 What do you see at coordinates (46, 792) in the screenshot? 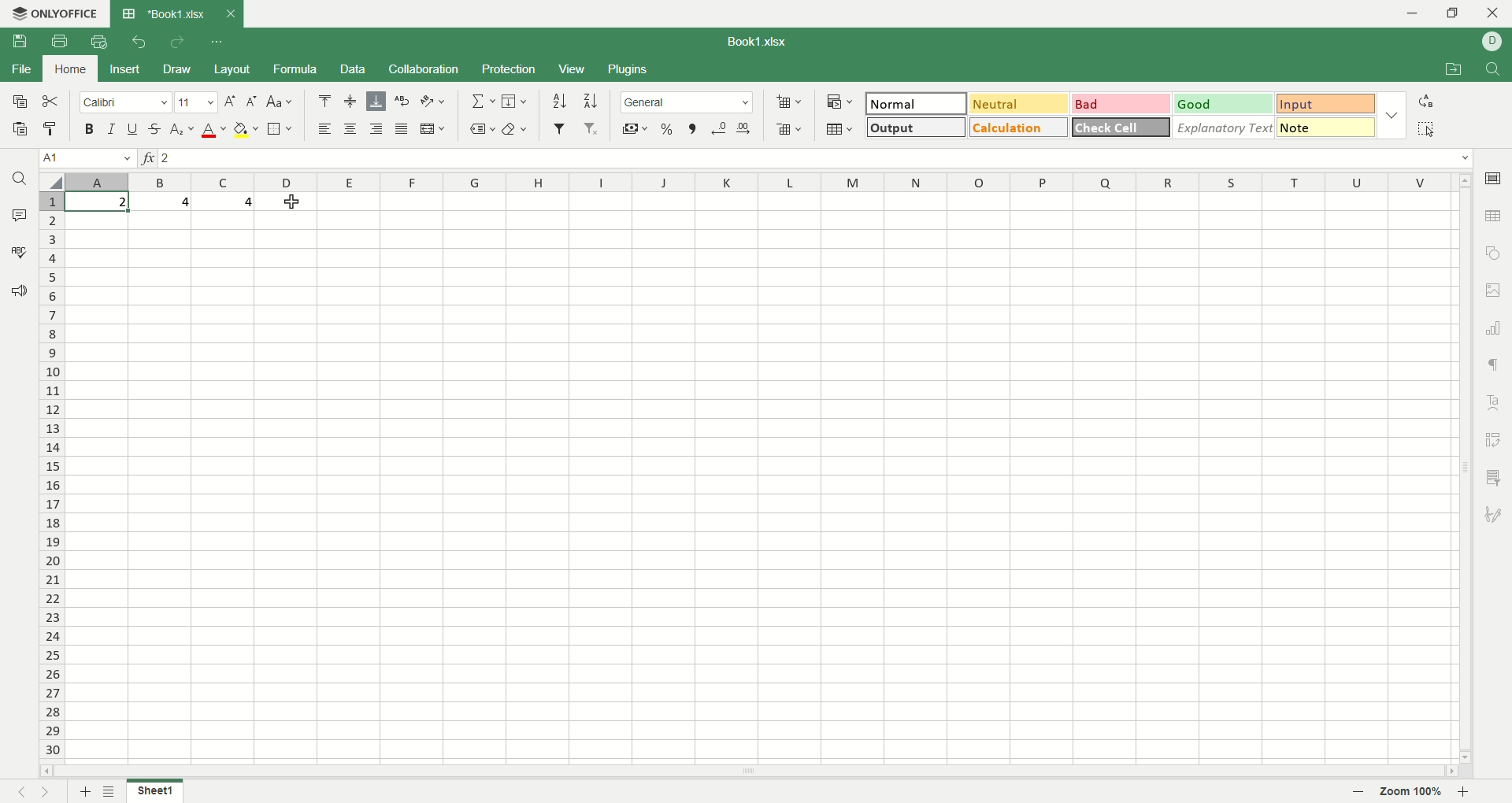
I see `next sheet` at bounding box center [46, 792].